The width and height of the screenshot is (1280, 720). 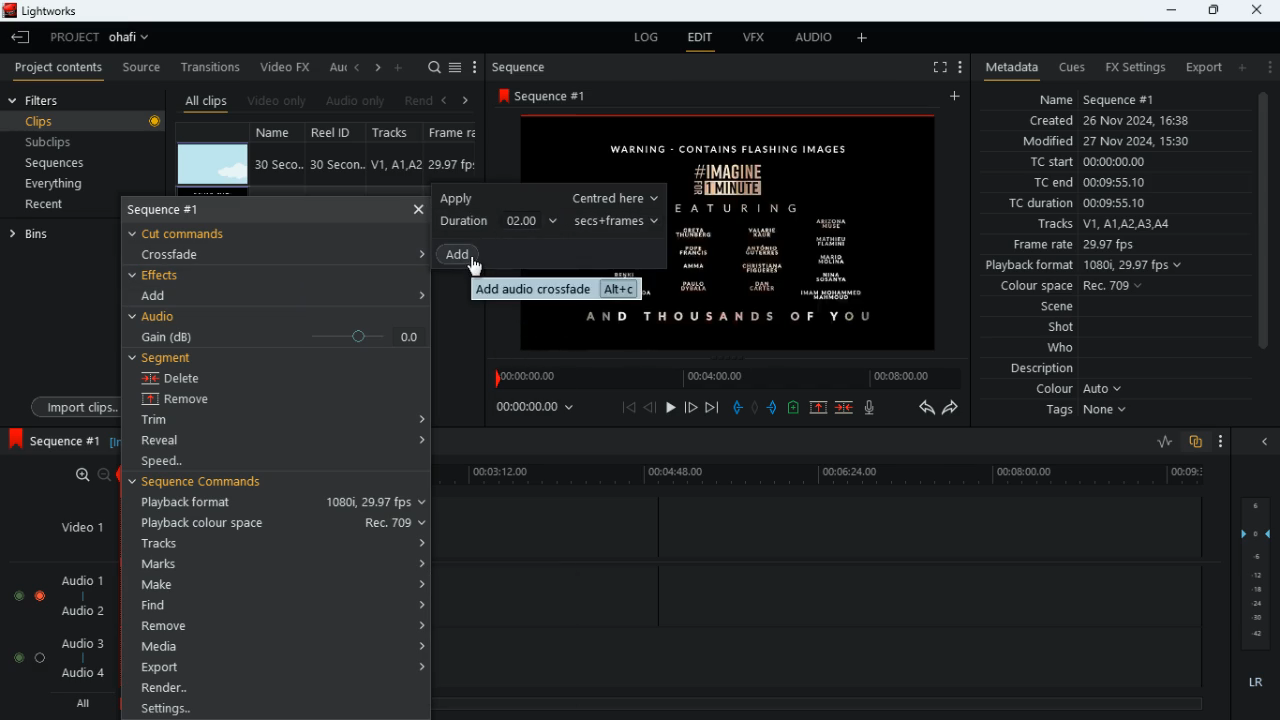 What do you see at coordinates (737, 407) in the screenshot?
I see `pull` at bounding box center [737, 407].